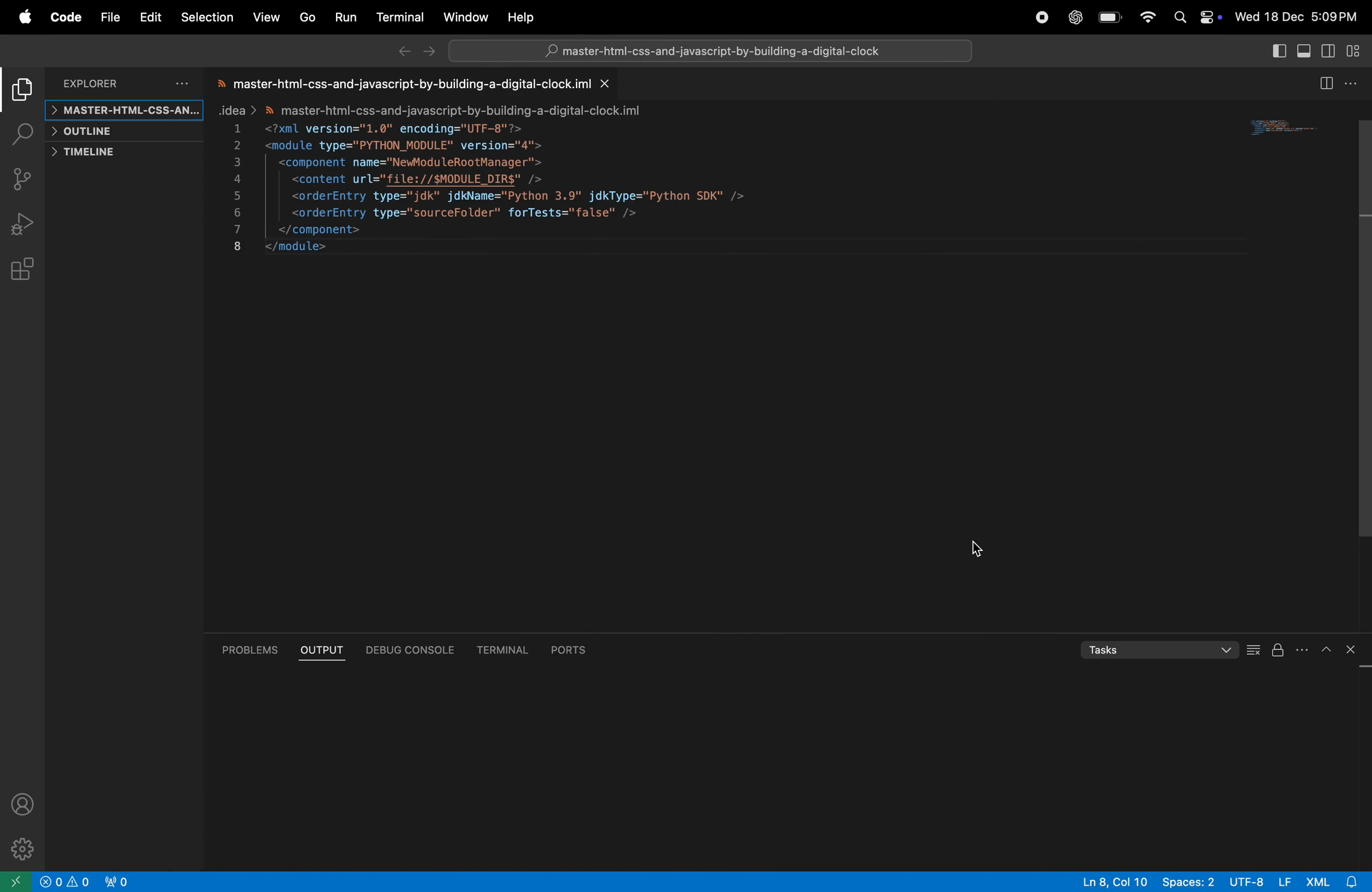 Image resolution: width=1372 pixels, height=892 pixels. Describe the element at coordinates (708, 54) in the screenshot. I see `search bar` at that location.